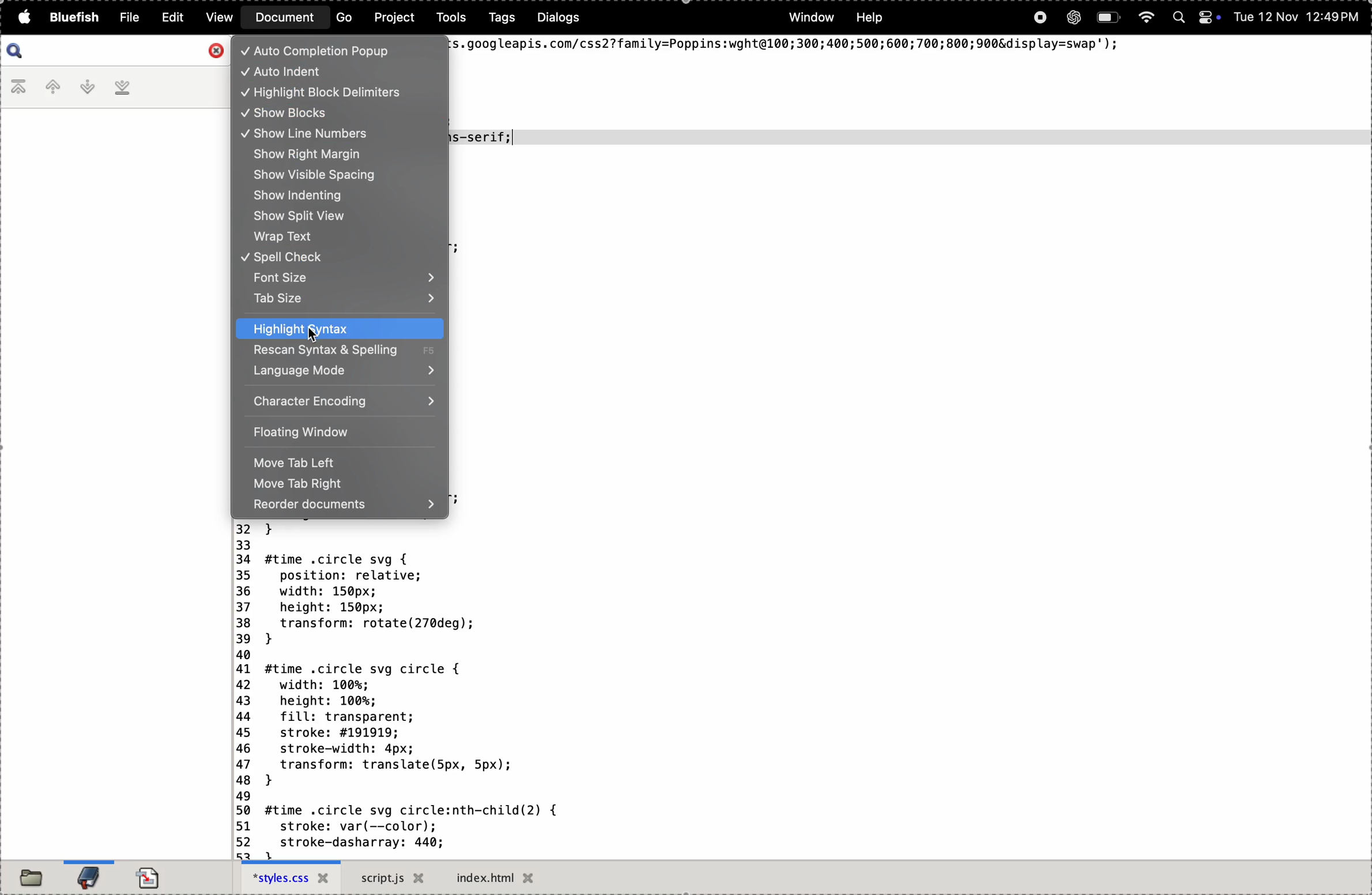  Describe the element at coordinates (813, 19) in the screenshot. I see `window` at that location.